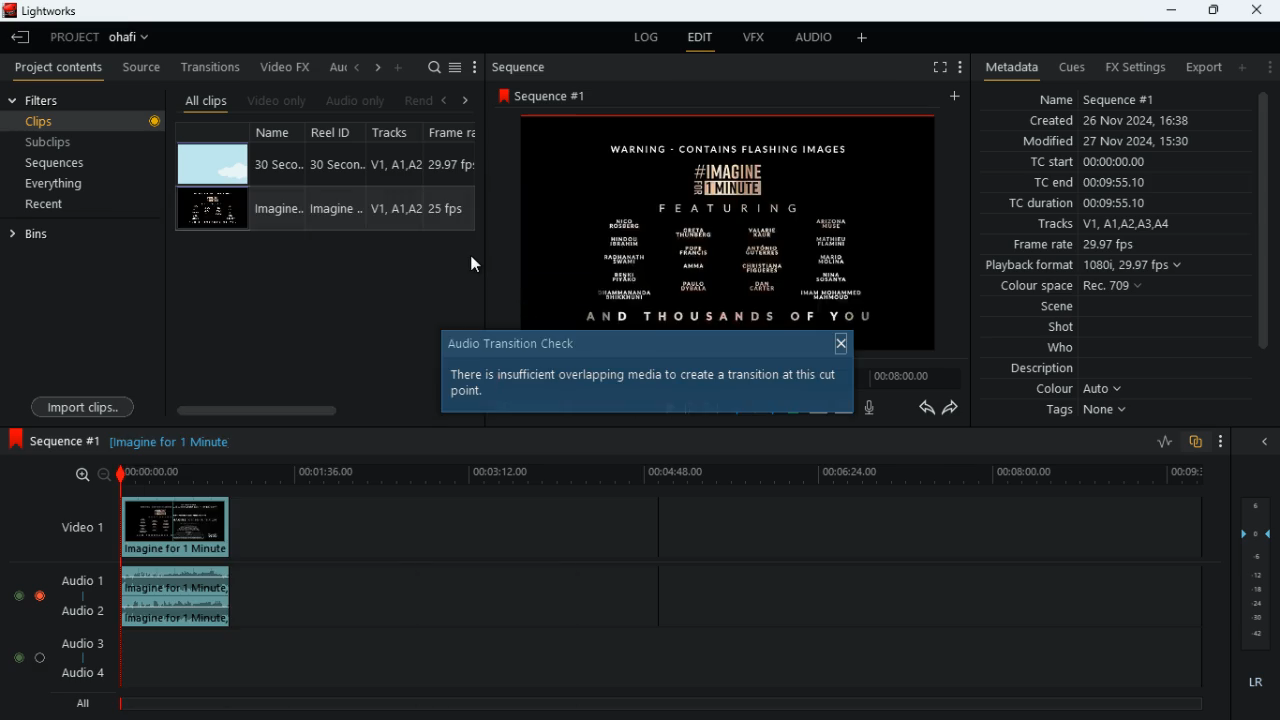  I want to click on audio 1, so click(78, 581).